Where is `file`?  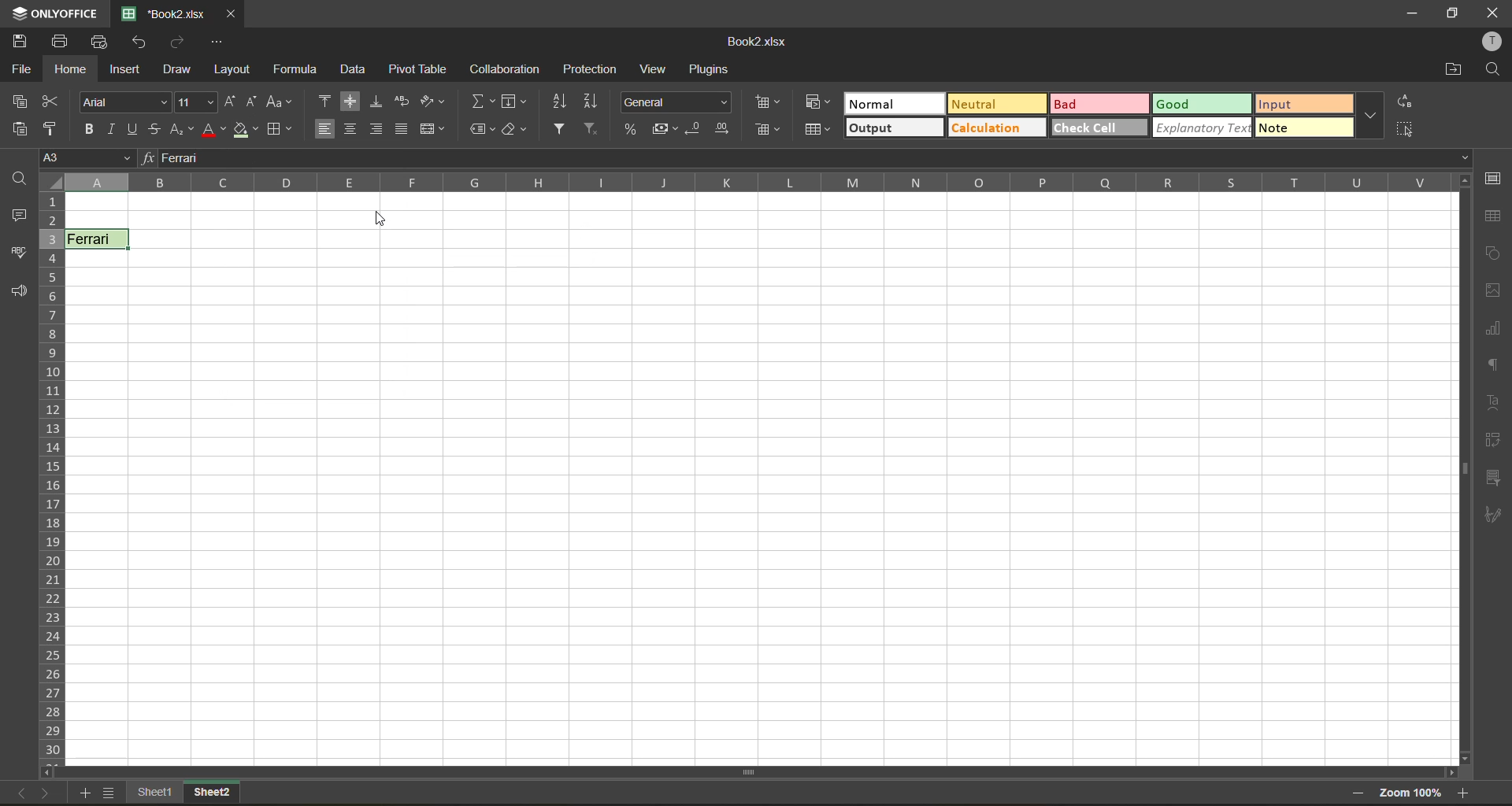
file is located at coordinates (17, 68).